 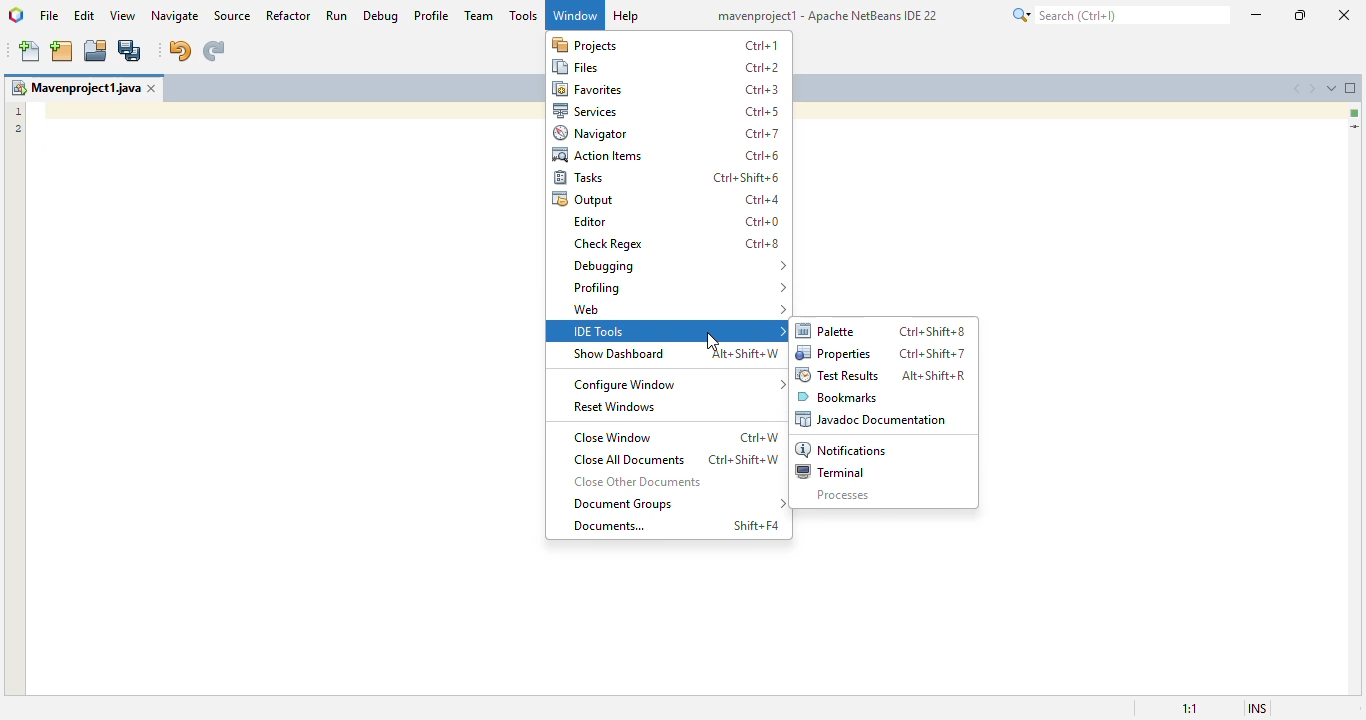 I want to click on shortcut for navigator, so click(x=762, y=134).